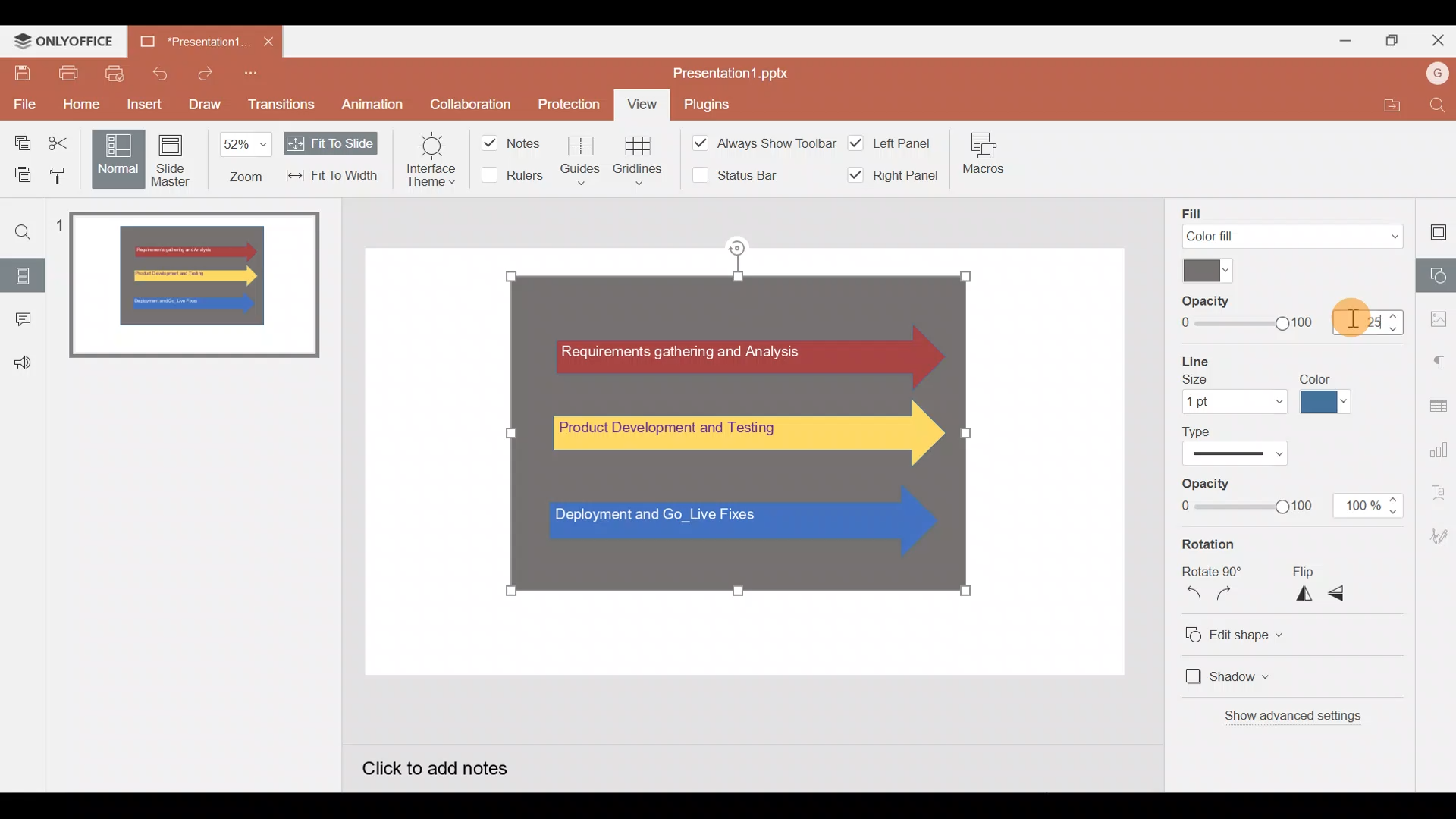 Image resolution: width=1456 pixels, height=819 pixels. Describe the element at coordinates (17, 140) in the screenshot. I see `Copy` at that location.